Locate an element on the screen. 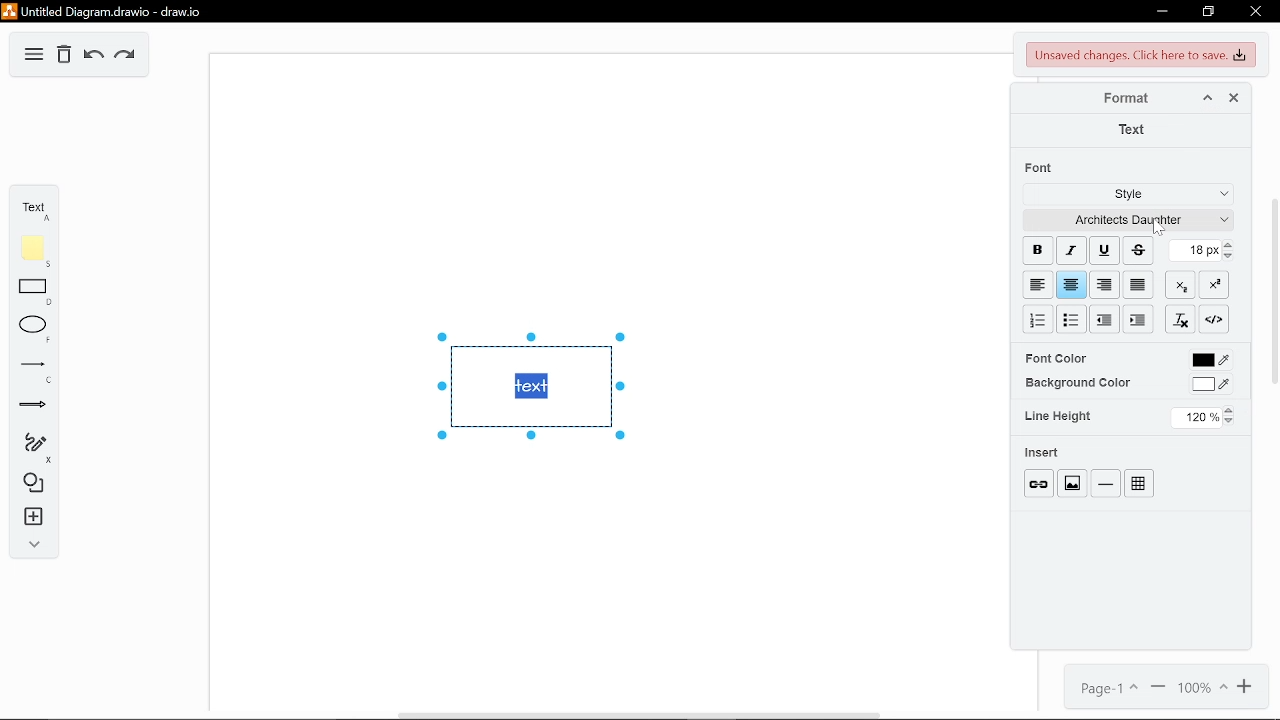  format is located at coordinates (1127, 100).